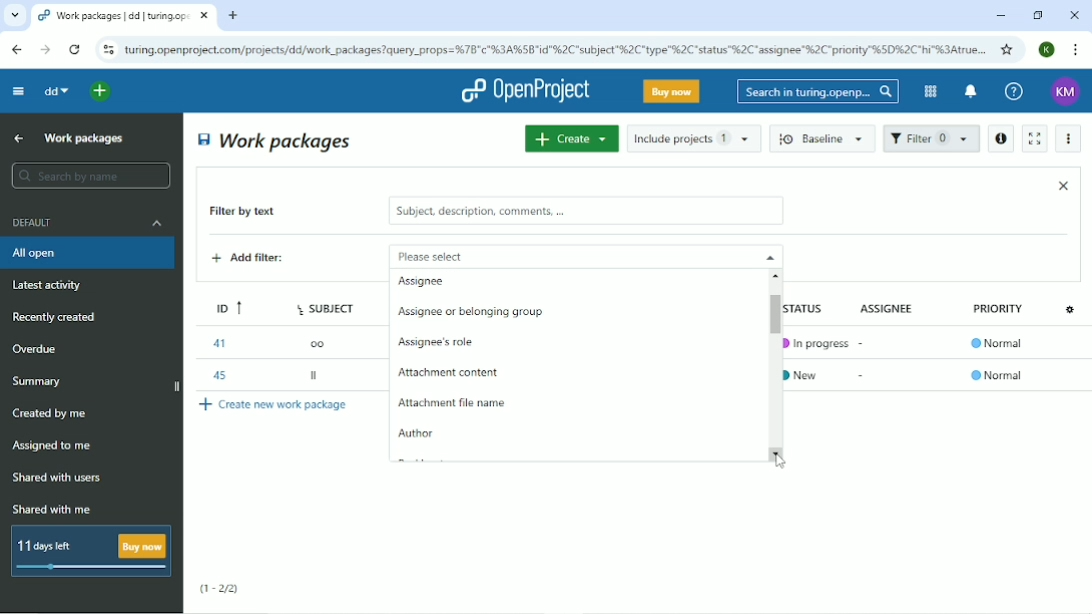 The height and width of the screenshot is (614, 1092). Describe the element at coordinates (768, 256) in the screenshot. I see `close drop down menu` at that location.